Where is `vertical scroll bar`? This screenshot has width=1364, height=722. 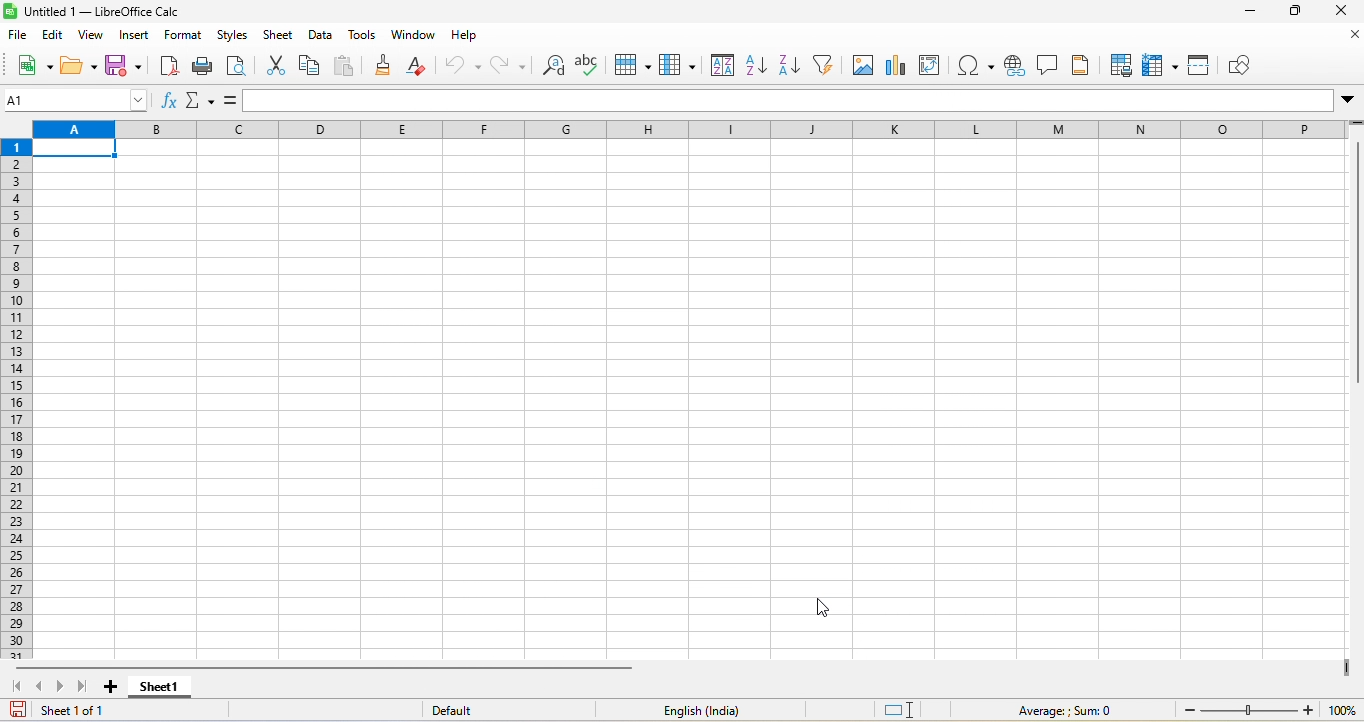 vertical scroll bar is located at coordinates (1355, 265).